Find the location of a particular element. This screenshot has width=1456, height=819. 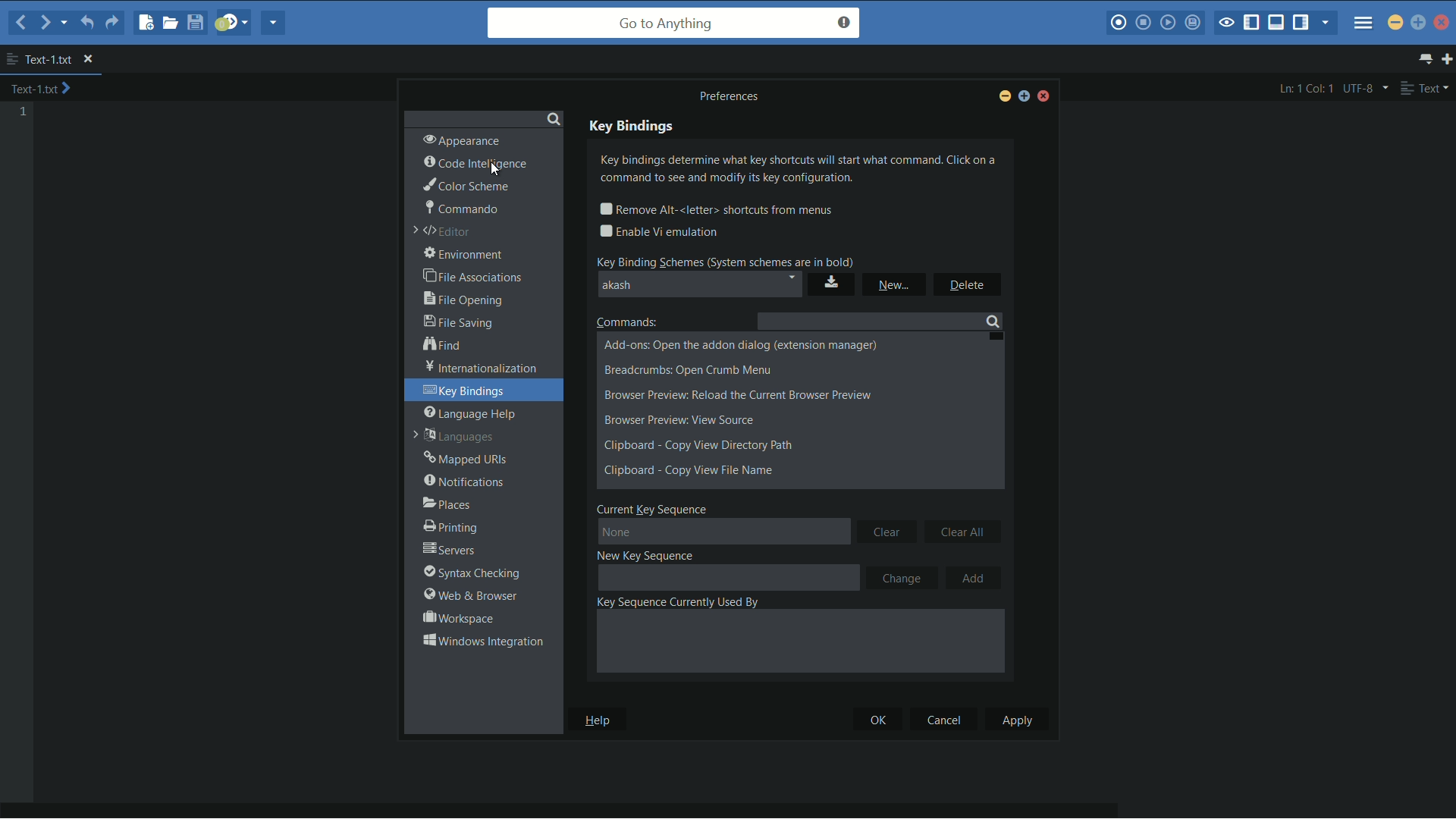

places is located at coordinates (447, 504).